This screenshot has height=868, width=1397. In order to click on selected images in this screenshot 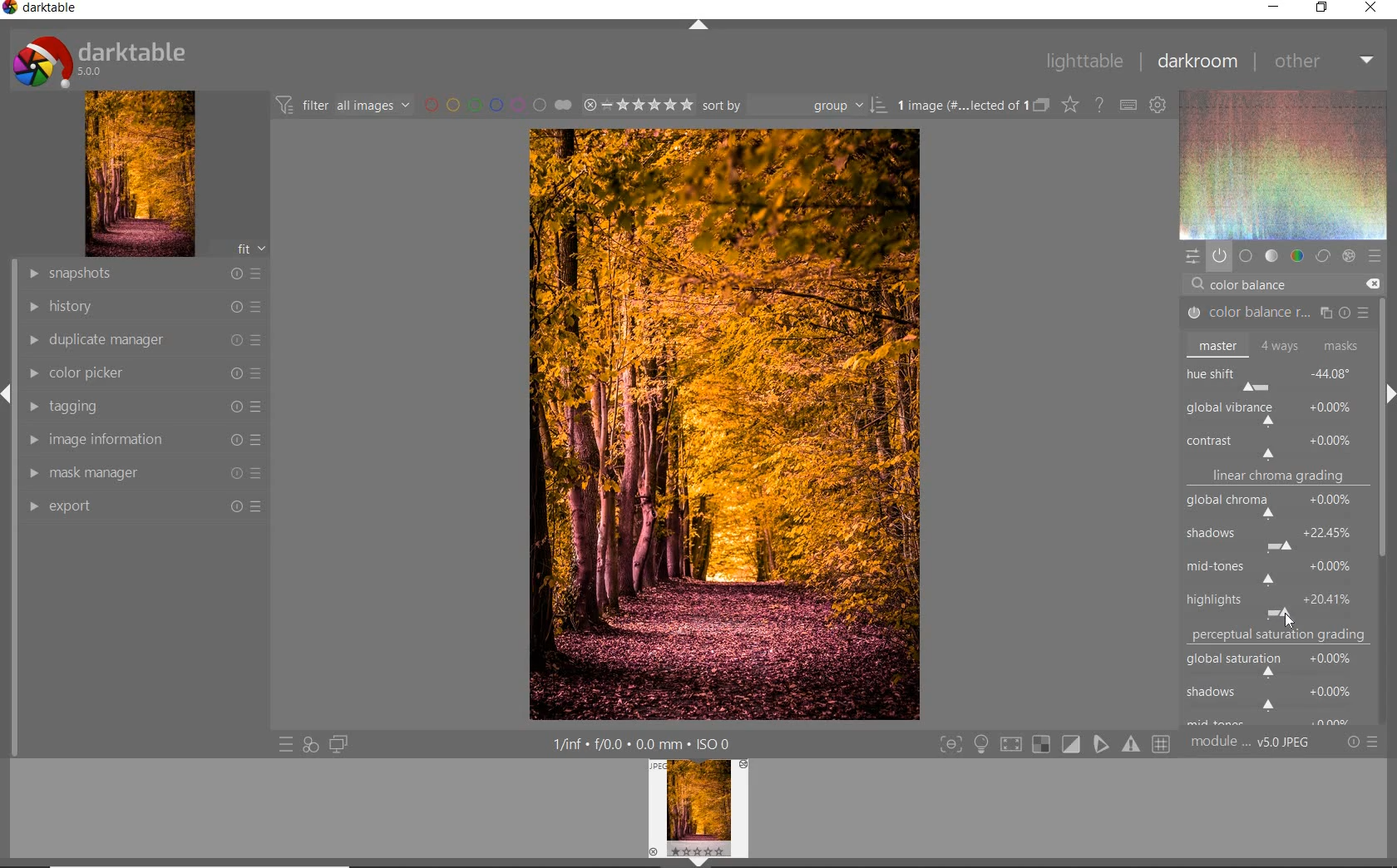, I will do `click(959, 106)`.